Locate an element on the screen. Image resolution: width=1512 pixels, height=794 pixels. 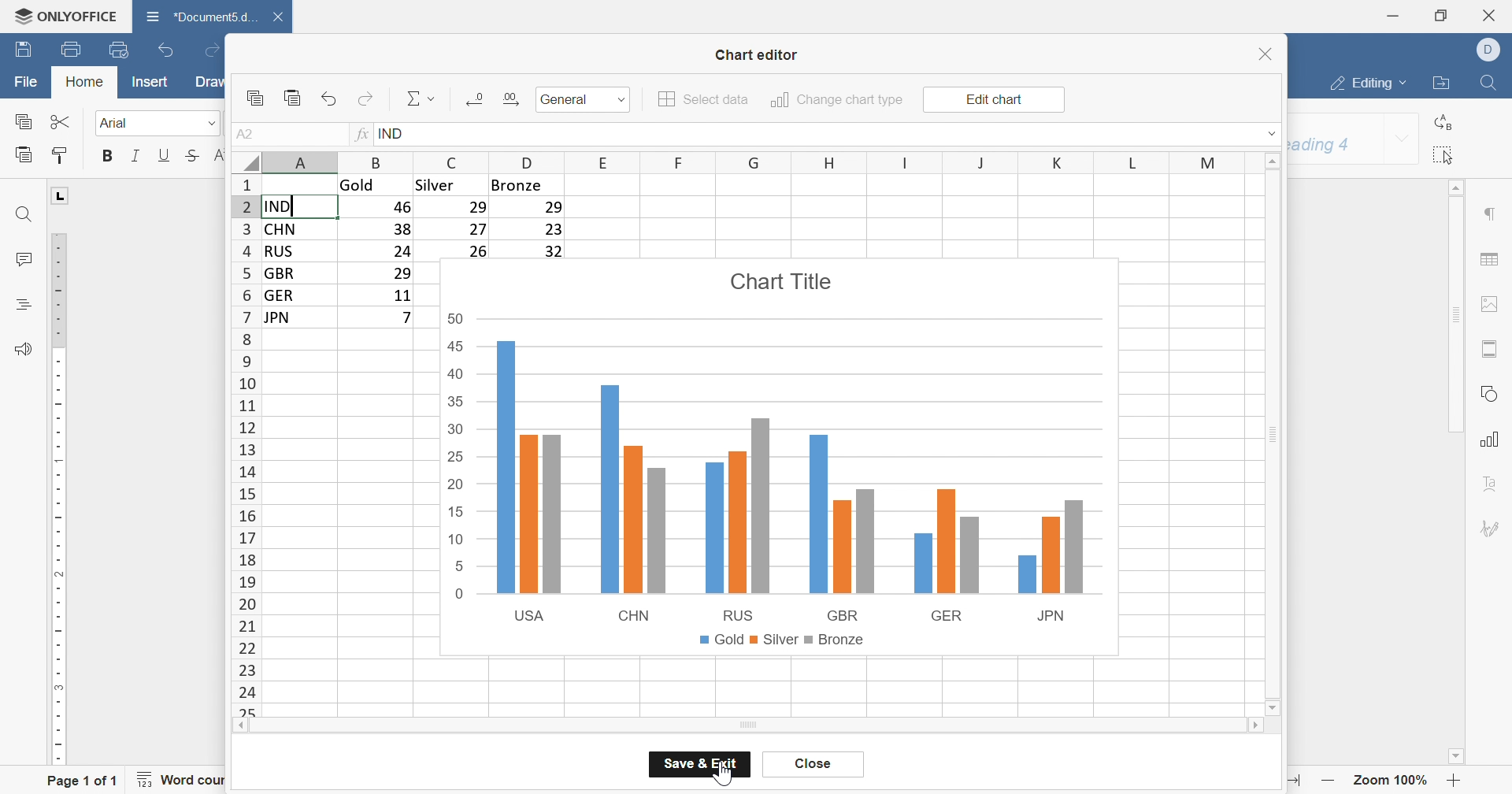
comments is located at coordinates (24, 258).